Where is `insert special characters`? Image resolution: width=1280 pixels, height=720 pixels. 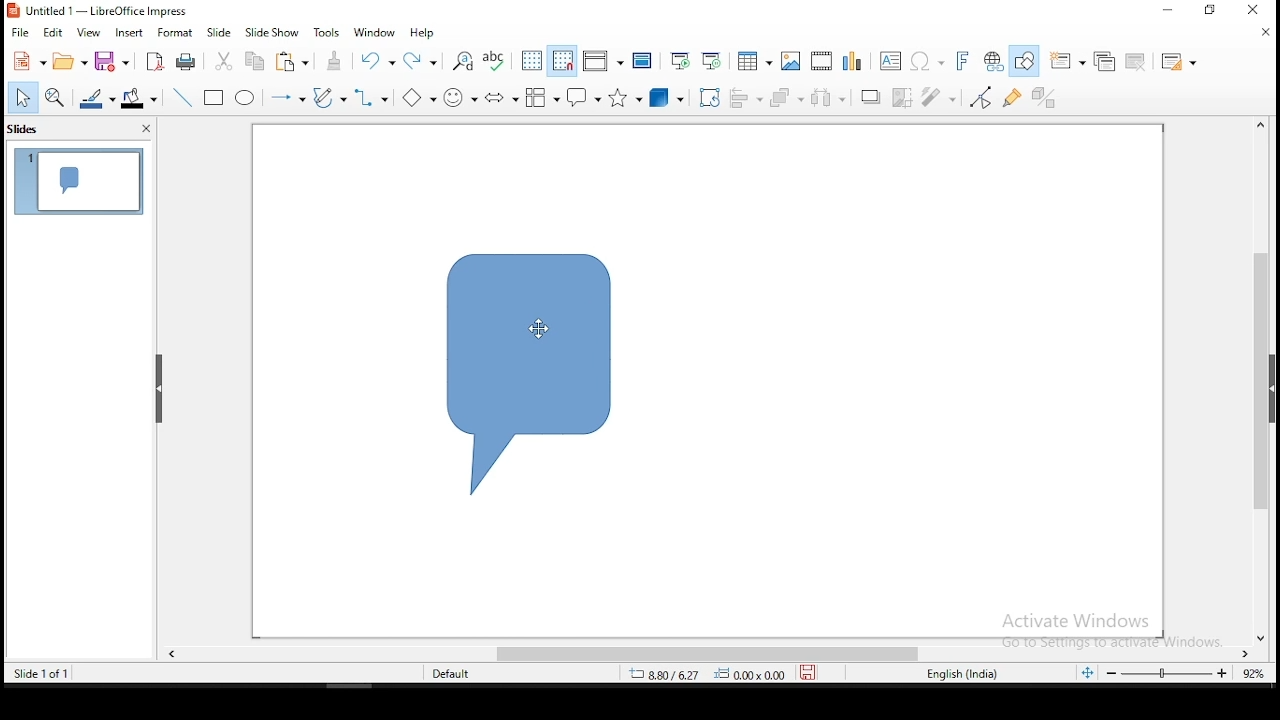
insert special characters is located at coordinates (927, 60).